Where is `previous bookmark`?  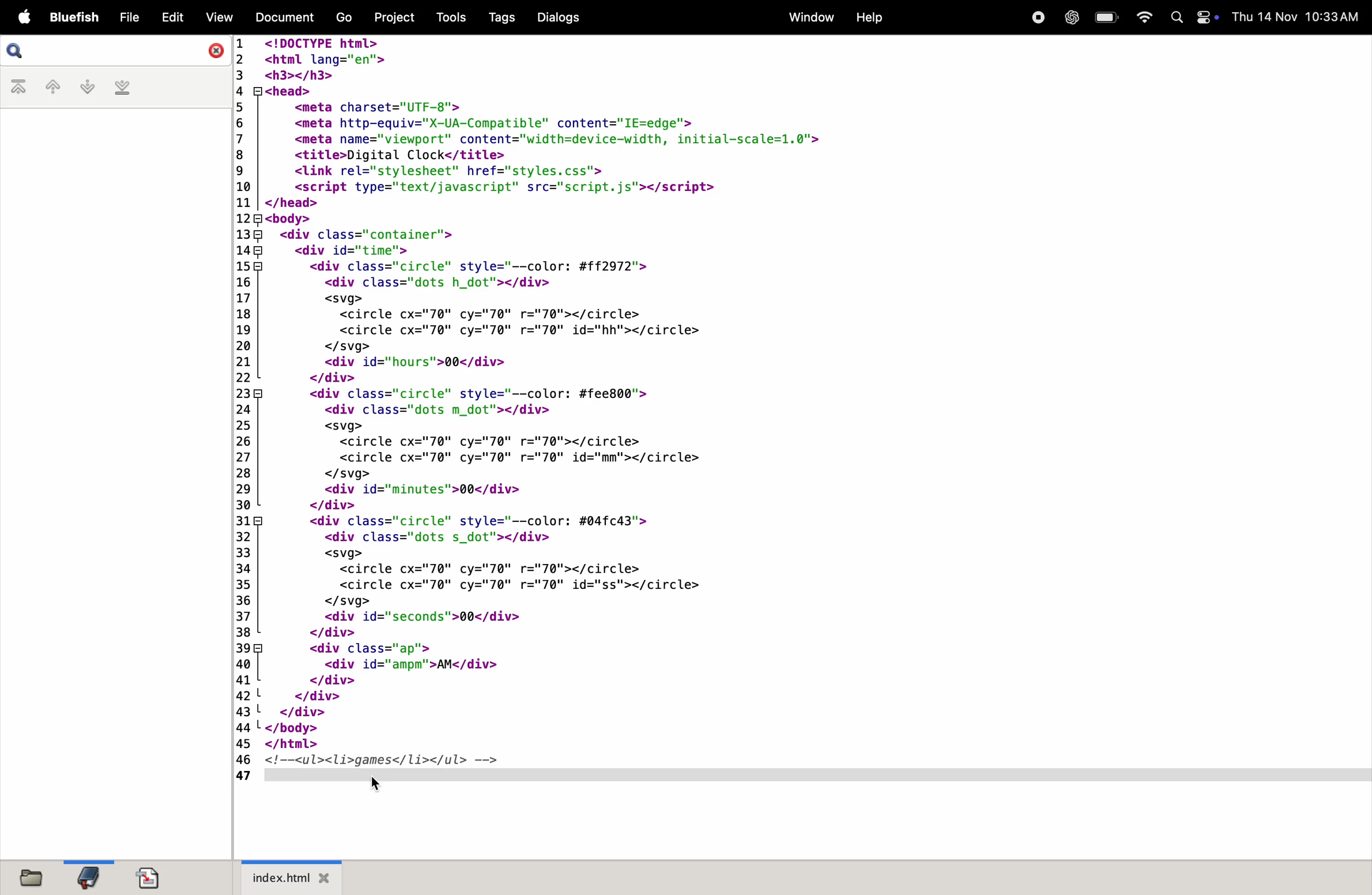 previous bookmark is located at coordinates (49, 87).